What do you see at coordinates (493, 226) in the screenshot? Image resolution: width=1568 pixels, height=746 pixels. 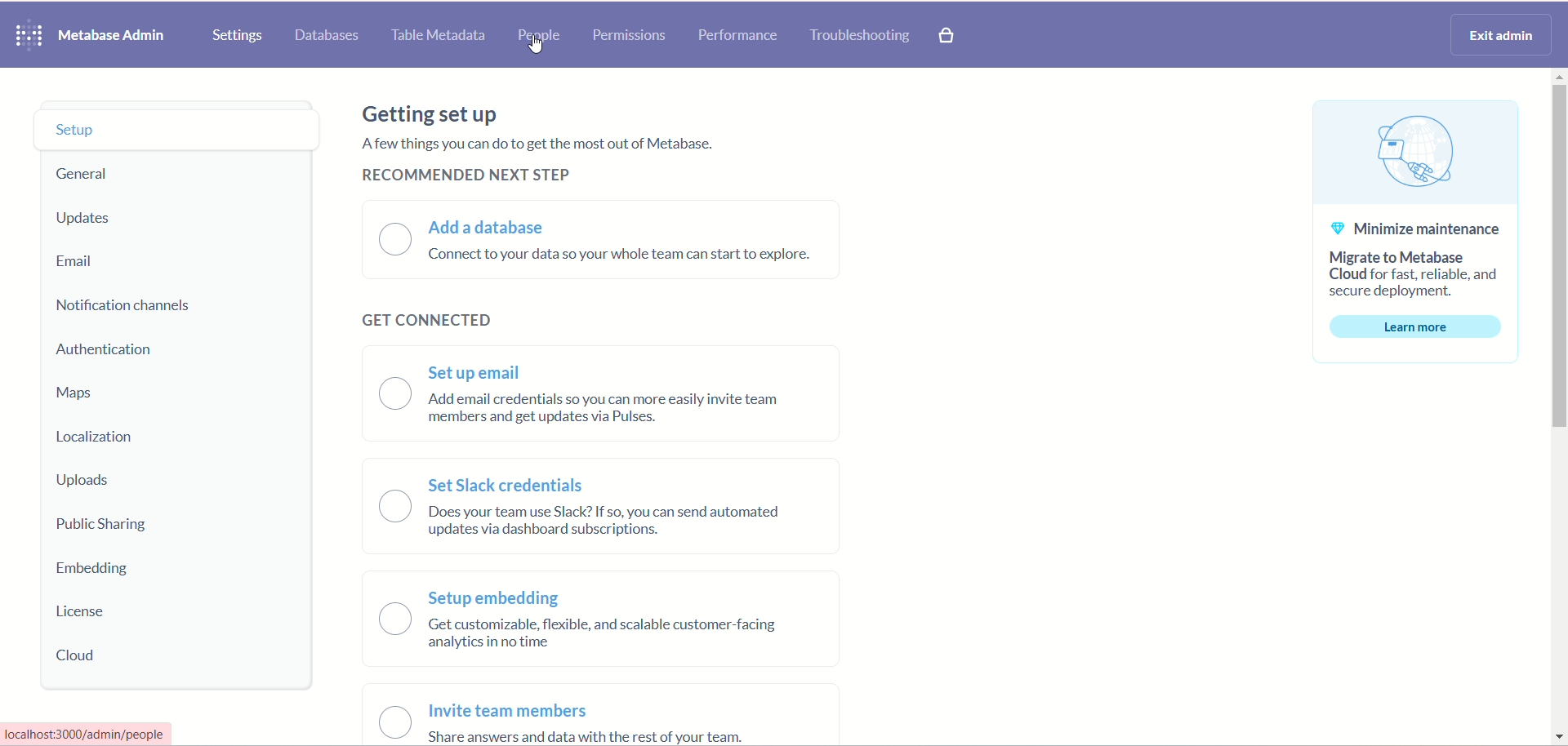 I see `add a database` at bounding box center [493, 226].